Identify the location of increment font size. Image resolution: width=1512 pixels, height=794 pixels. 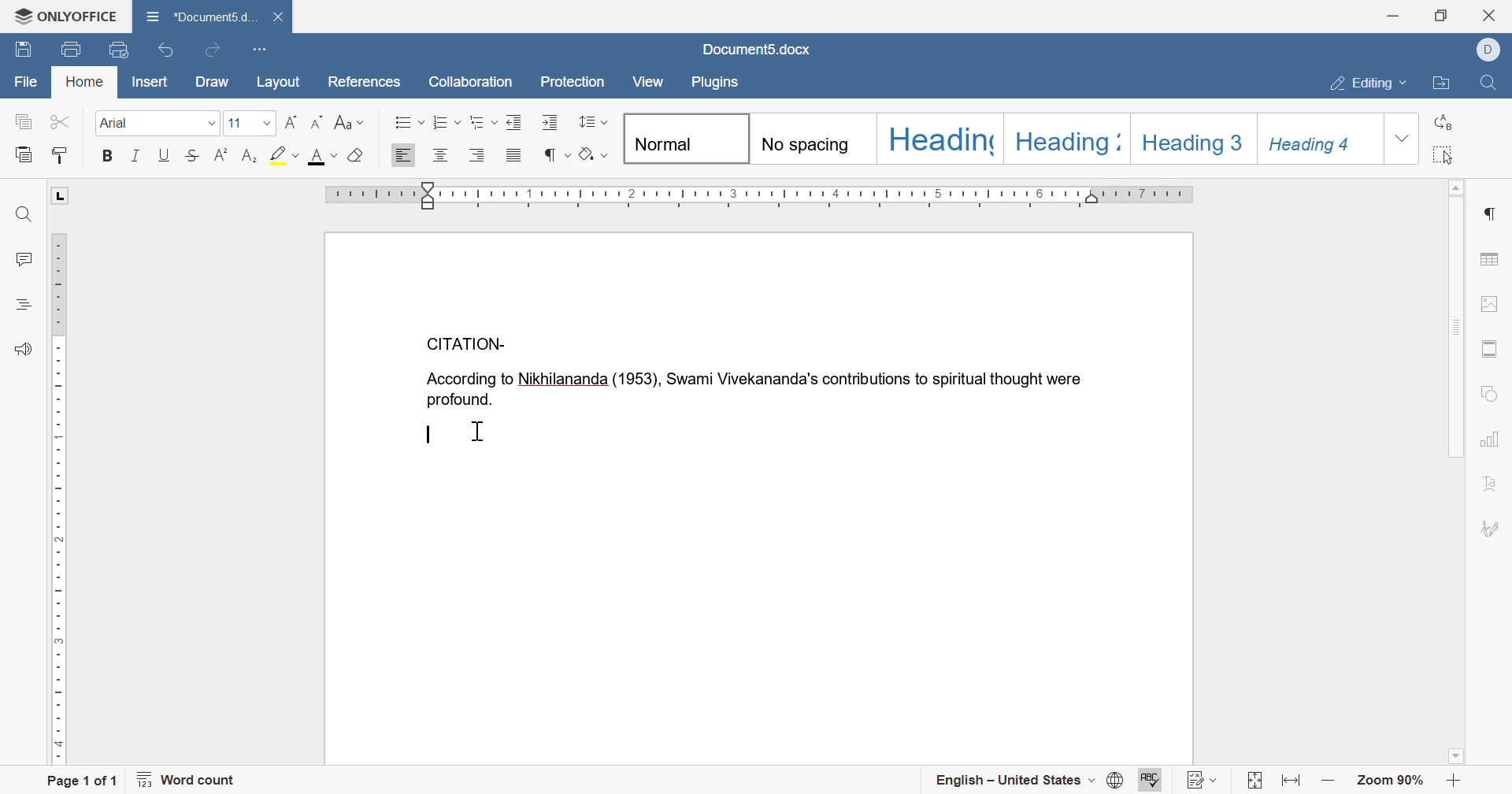
(293, 124).